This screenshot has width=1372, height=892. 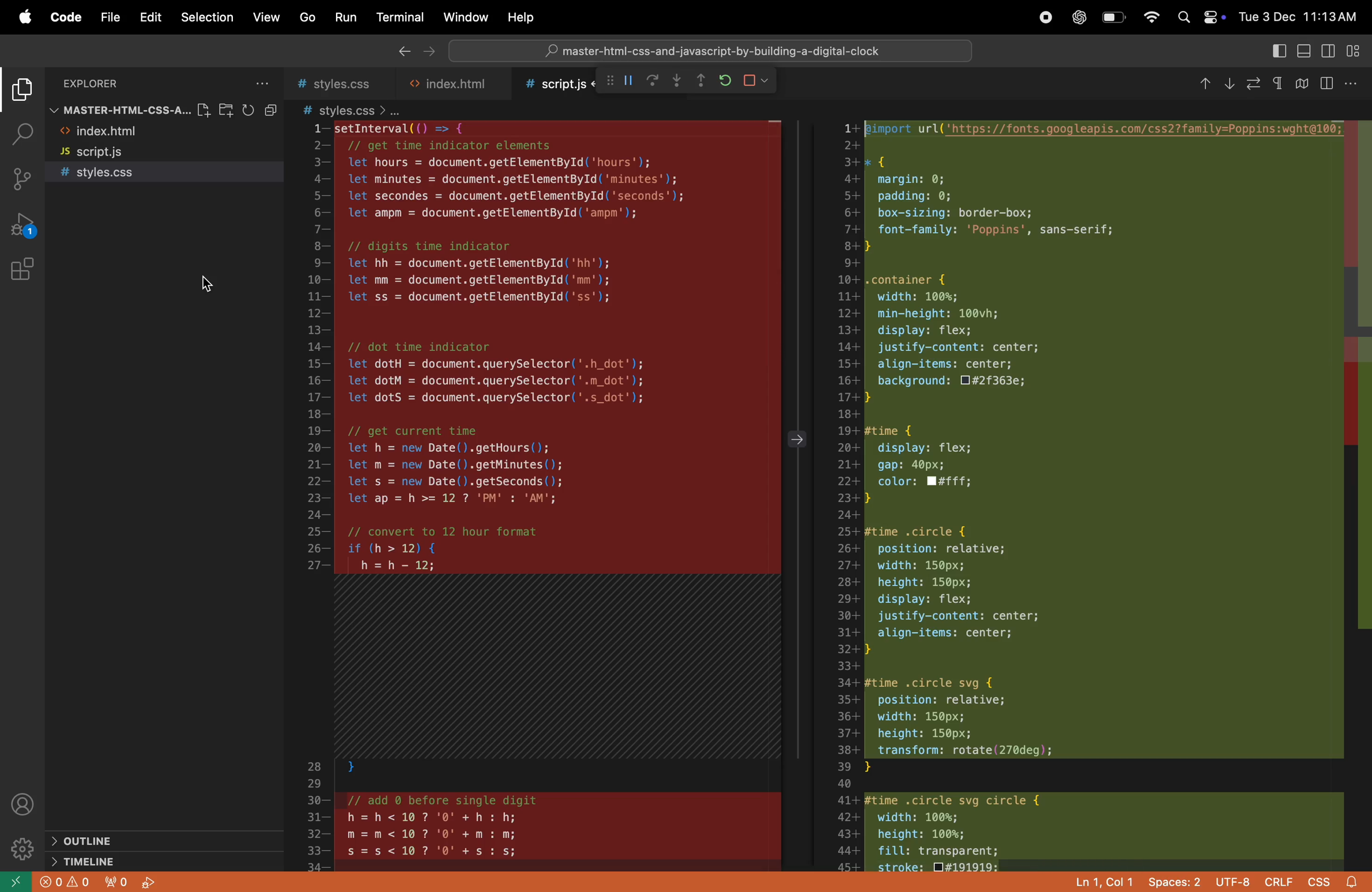 I want to click on code block, so click(x=546, y=497).